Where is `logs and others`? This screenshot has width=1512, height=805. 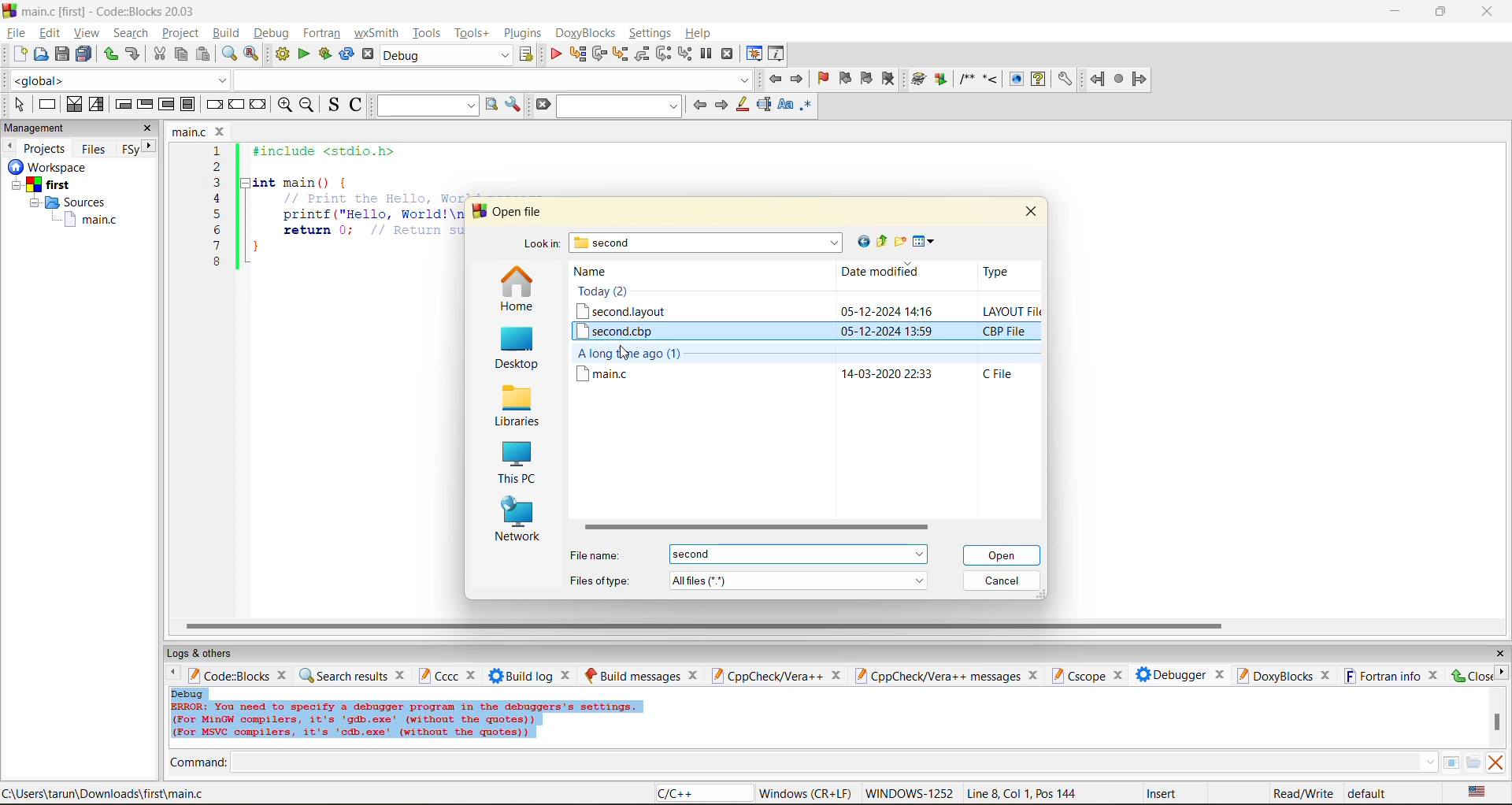
logs and others is located at coordinates (210, 653).